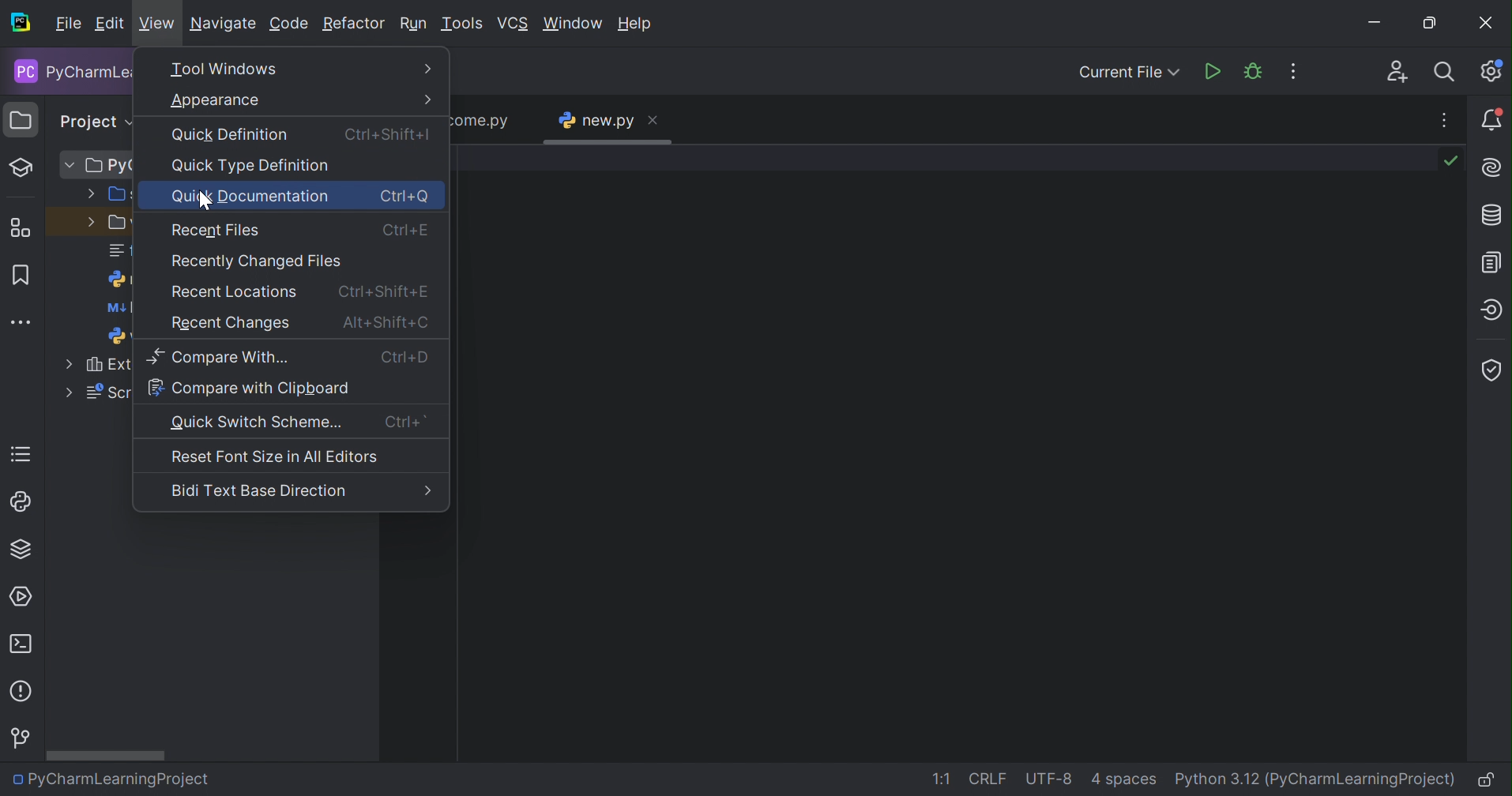 The height and width of the screenshot is (796, 1512). Describe the element at coordinates (86, 392) in the screenshot. I see `Scratches and Consoles` at that location.